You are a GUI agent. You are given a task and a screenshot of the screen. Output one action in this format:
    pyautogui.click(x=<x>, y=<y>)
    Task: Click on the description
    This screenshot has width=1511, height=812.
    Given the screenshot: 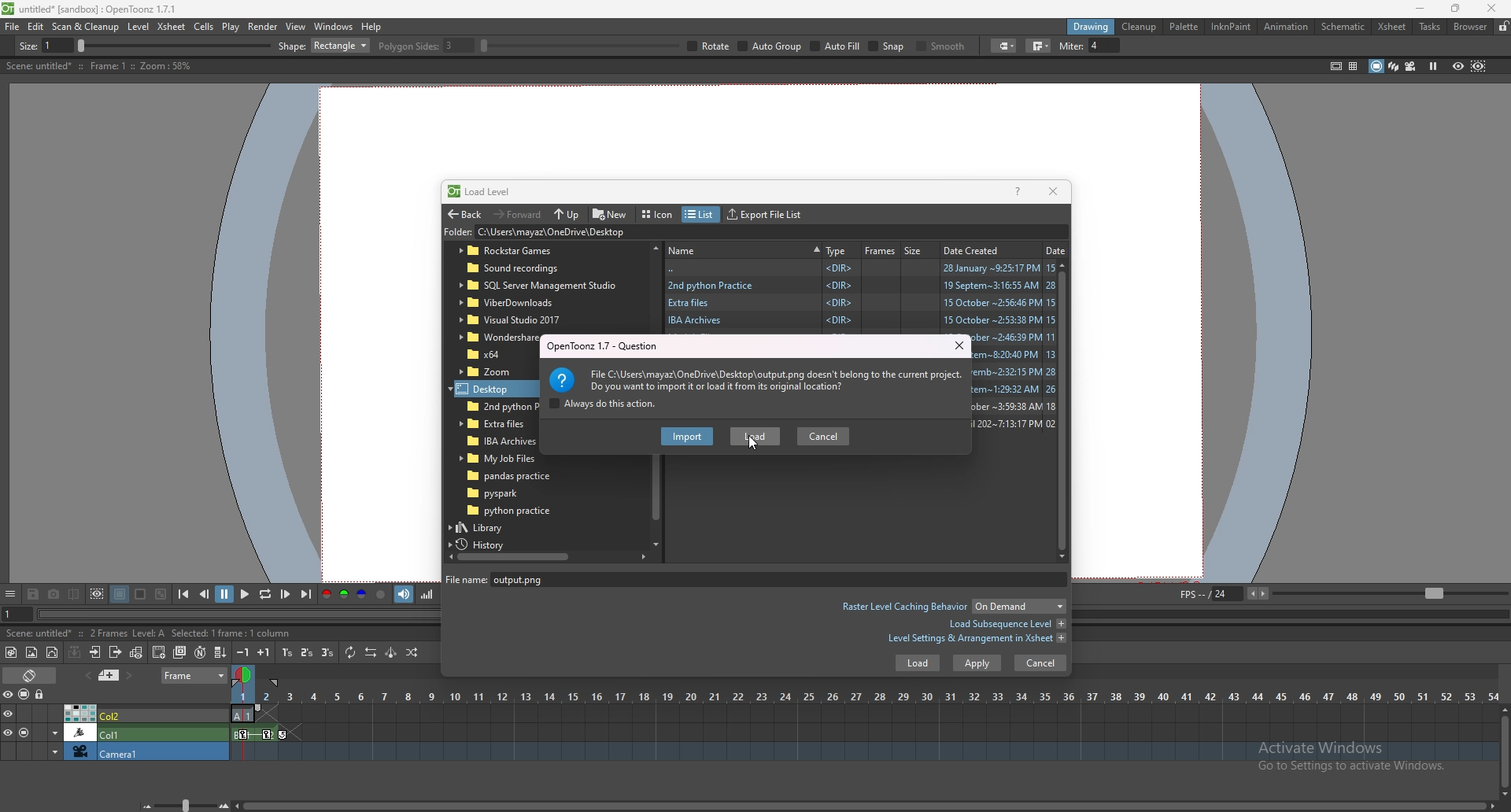 What is the action you would take?
    pyautogui.click(x=130, y=632)
    